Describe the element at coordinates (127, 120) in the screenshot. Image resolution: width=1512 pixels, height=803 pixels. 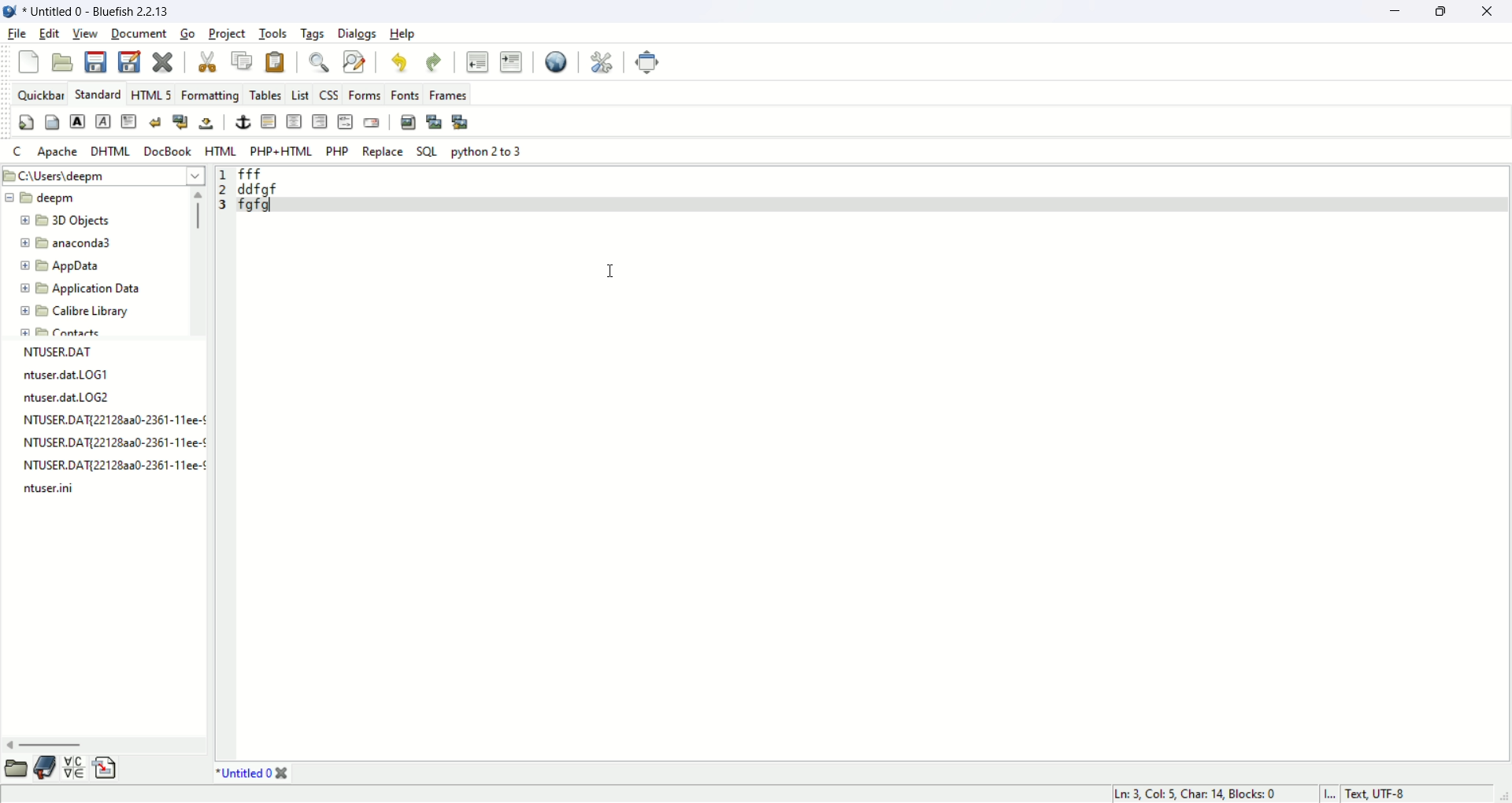
I see `paragraph` at that location.